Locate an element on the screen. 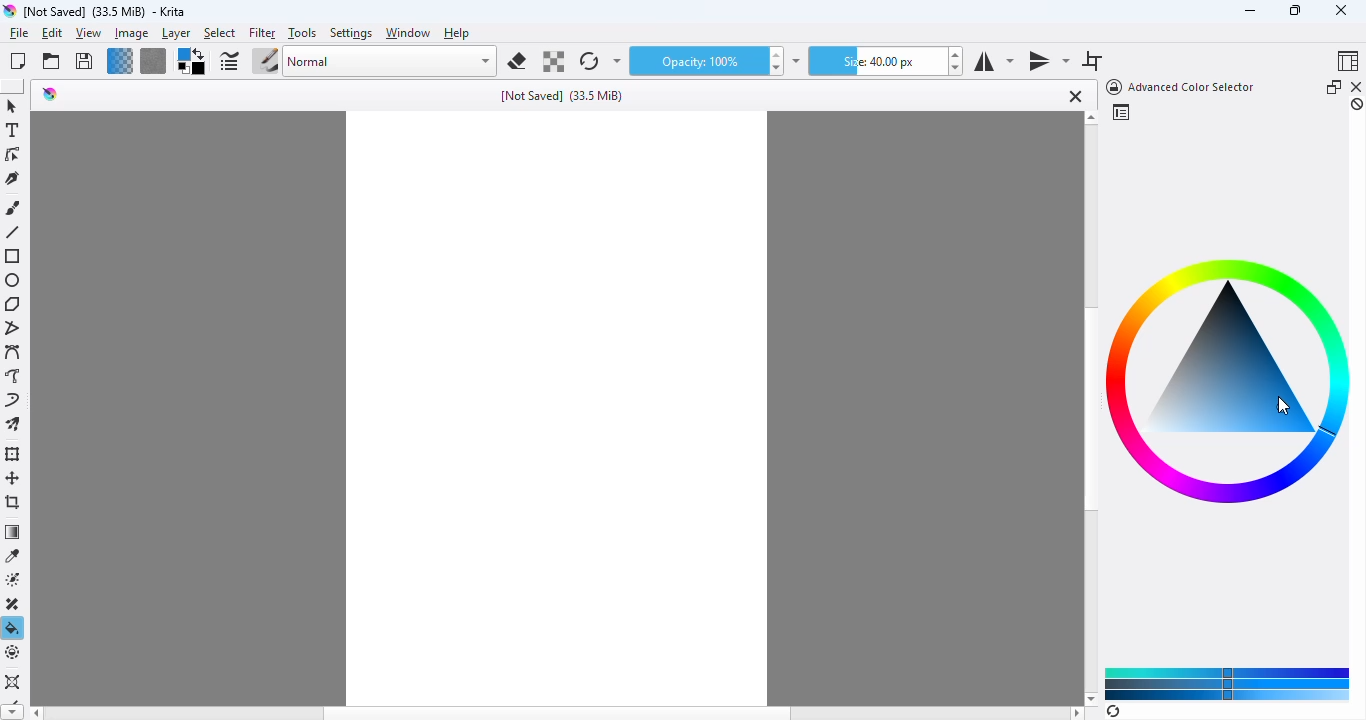  select shapes tool is located at coordinates (12, 106).